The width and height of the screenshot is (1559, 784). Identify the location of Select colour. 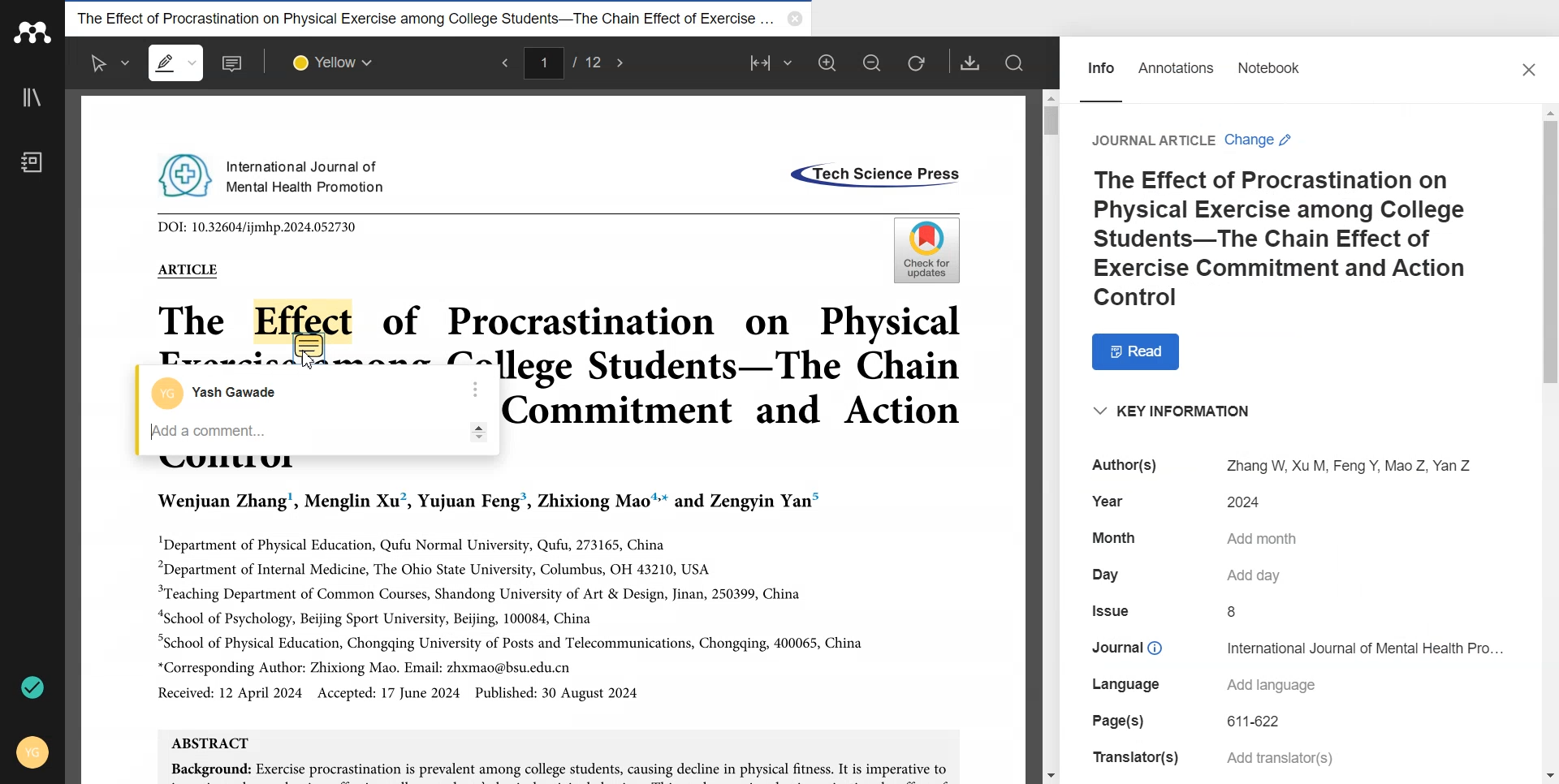
(336, 64).